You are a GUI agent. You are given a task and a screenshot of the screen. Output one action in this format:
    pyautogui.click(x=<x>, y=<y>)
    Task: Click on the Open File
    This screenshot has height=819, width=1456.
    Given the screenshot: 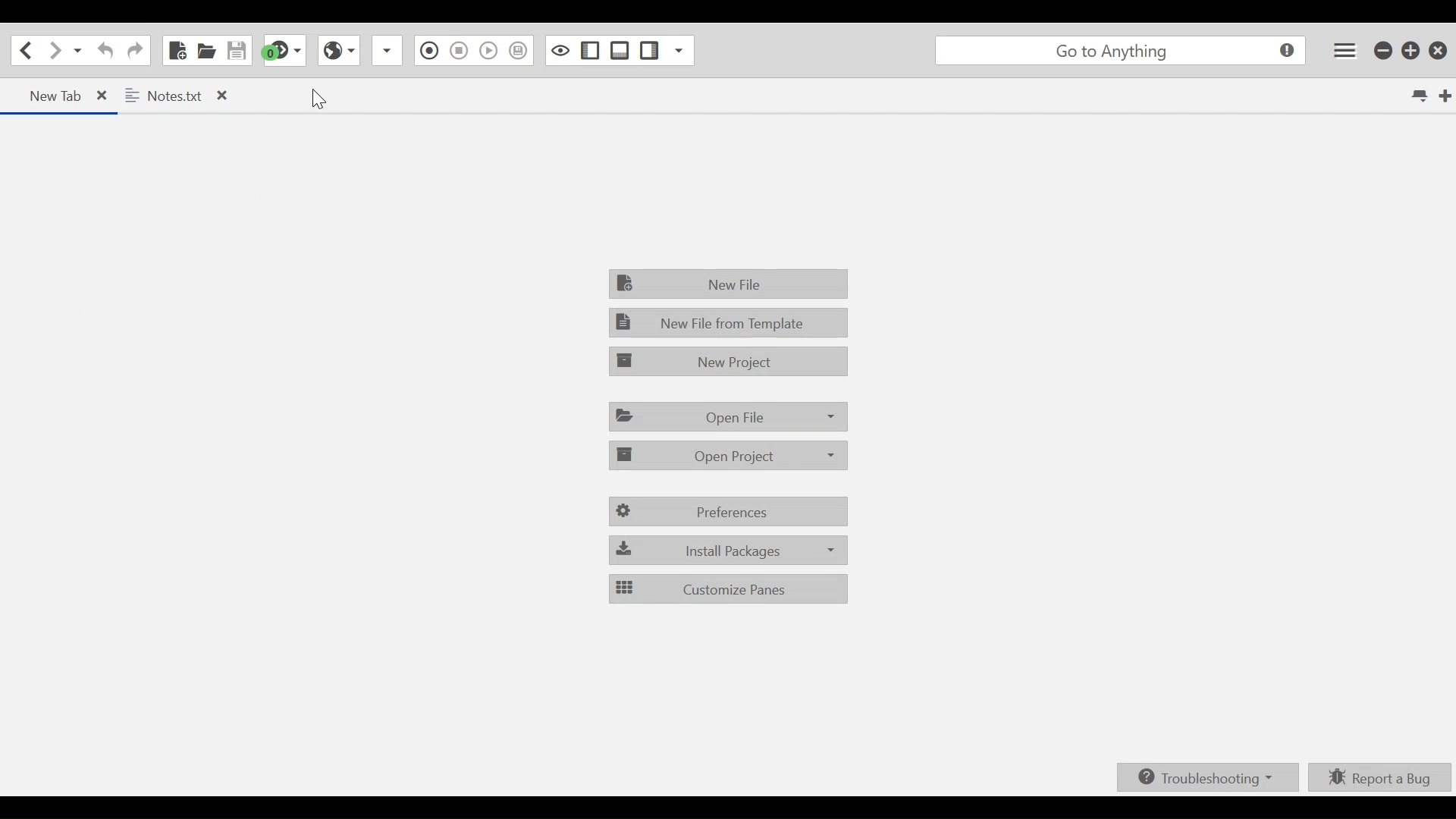 What is the action you would take?
    pyautogui.click(x=206, y=50)
    